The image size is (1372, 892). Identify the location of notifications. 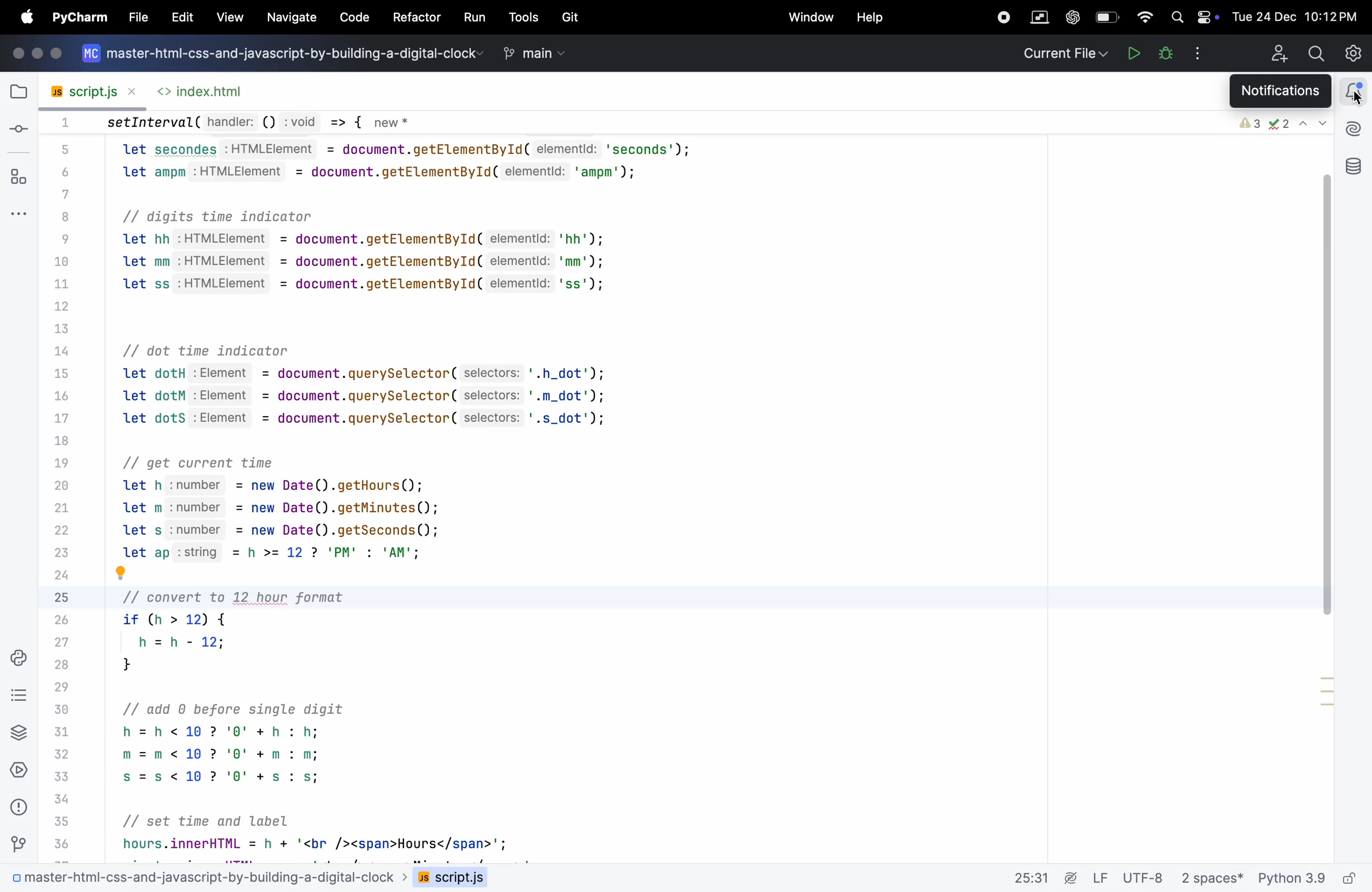
(1355, 90).